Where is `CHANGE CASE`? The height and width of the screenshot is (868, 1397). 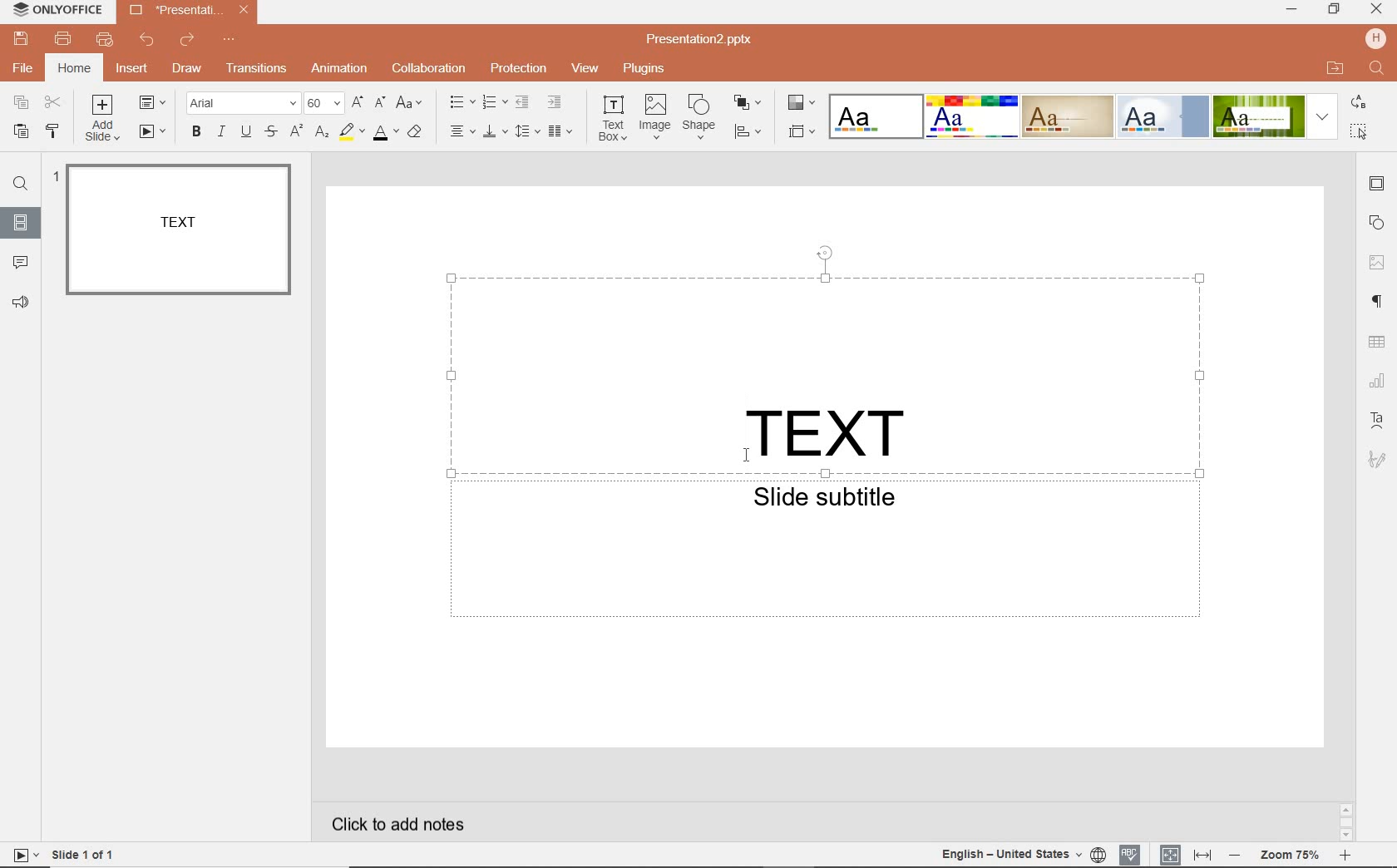 CHANGE CASE is located at coordinates (410, 103).